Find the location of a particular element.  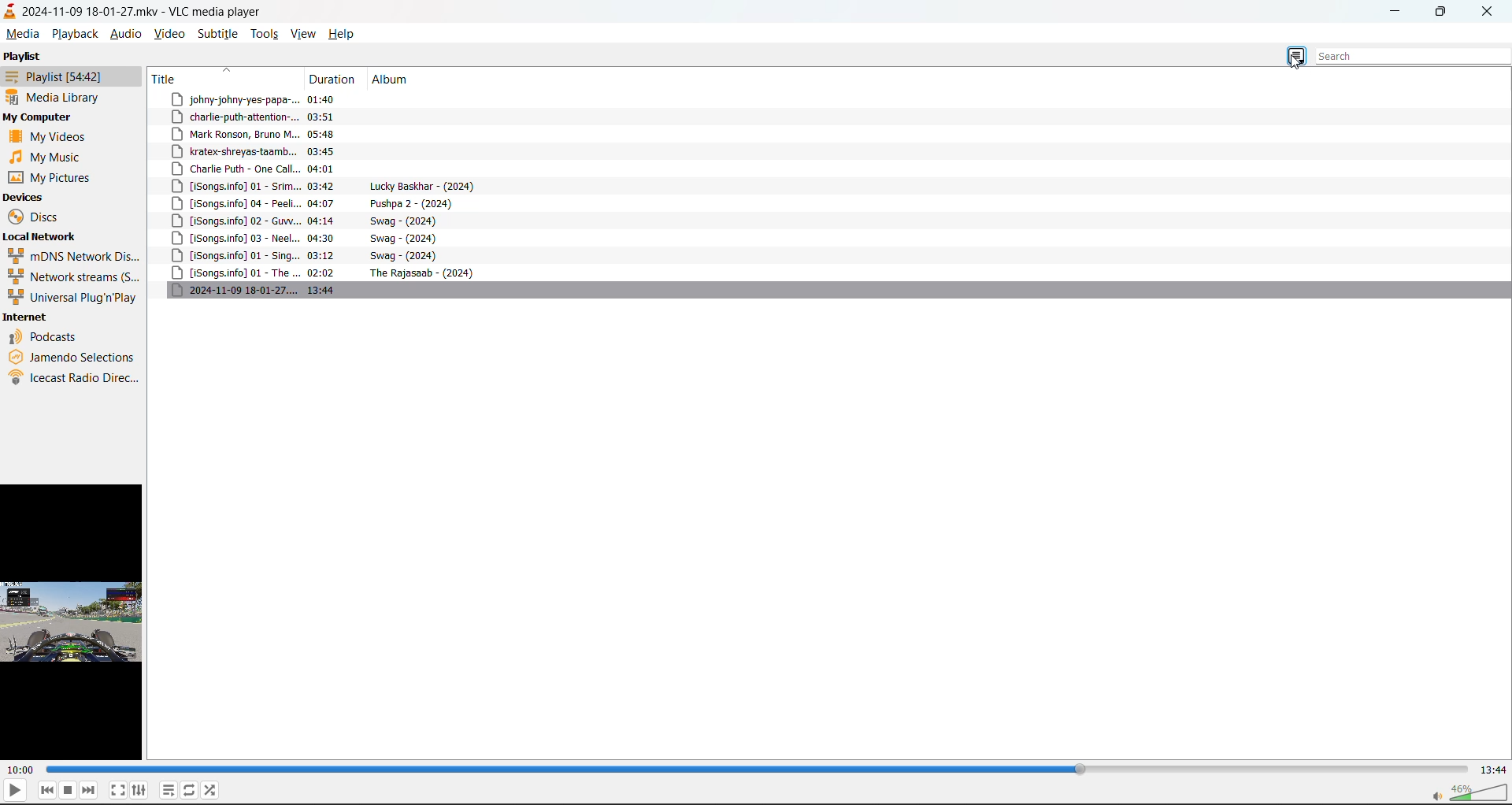

pictures is located at coordinates (50, 178).